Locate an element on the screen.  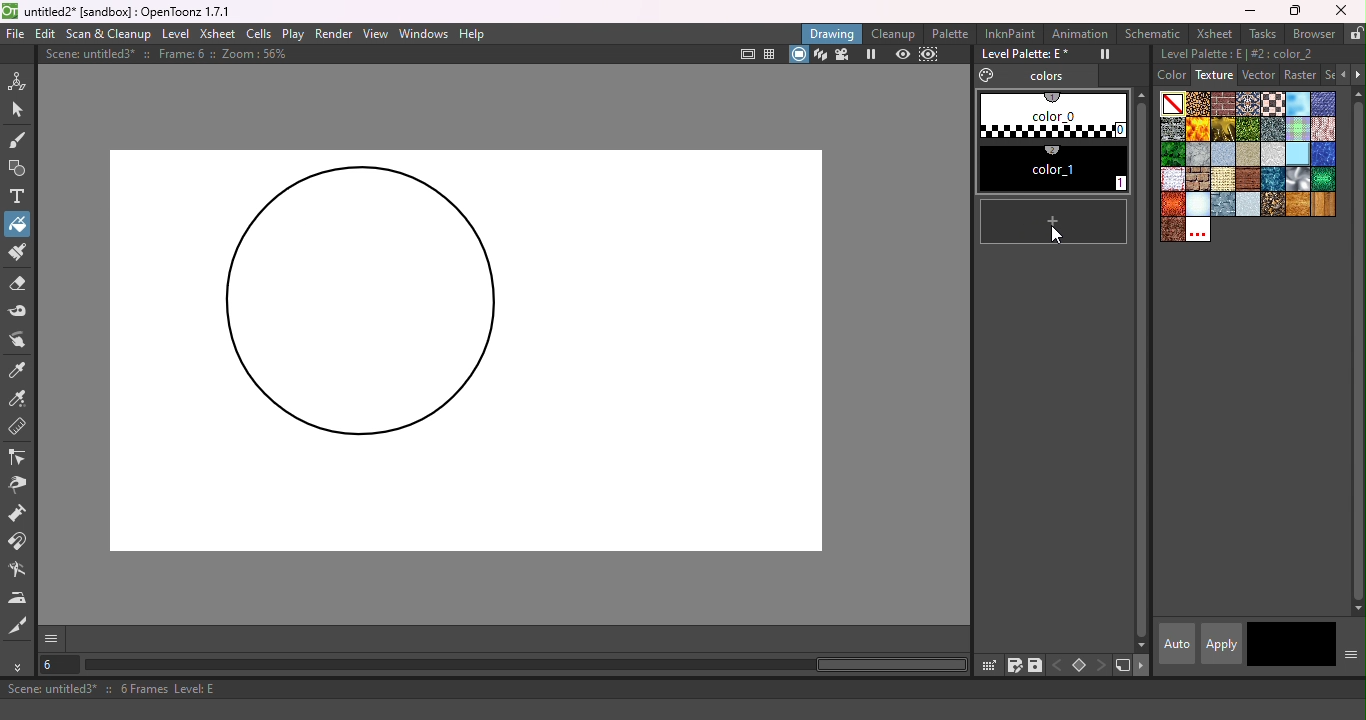
Scan & Clenaup is located at coordinates (110, 34).